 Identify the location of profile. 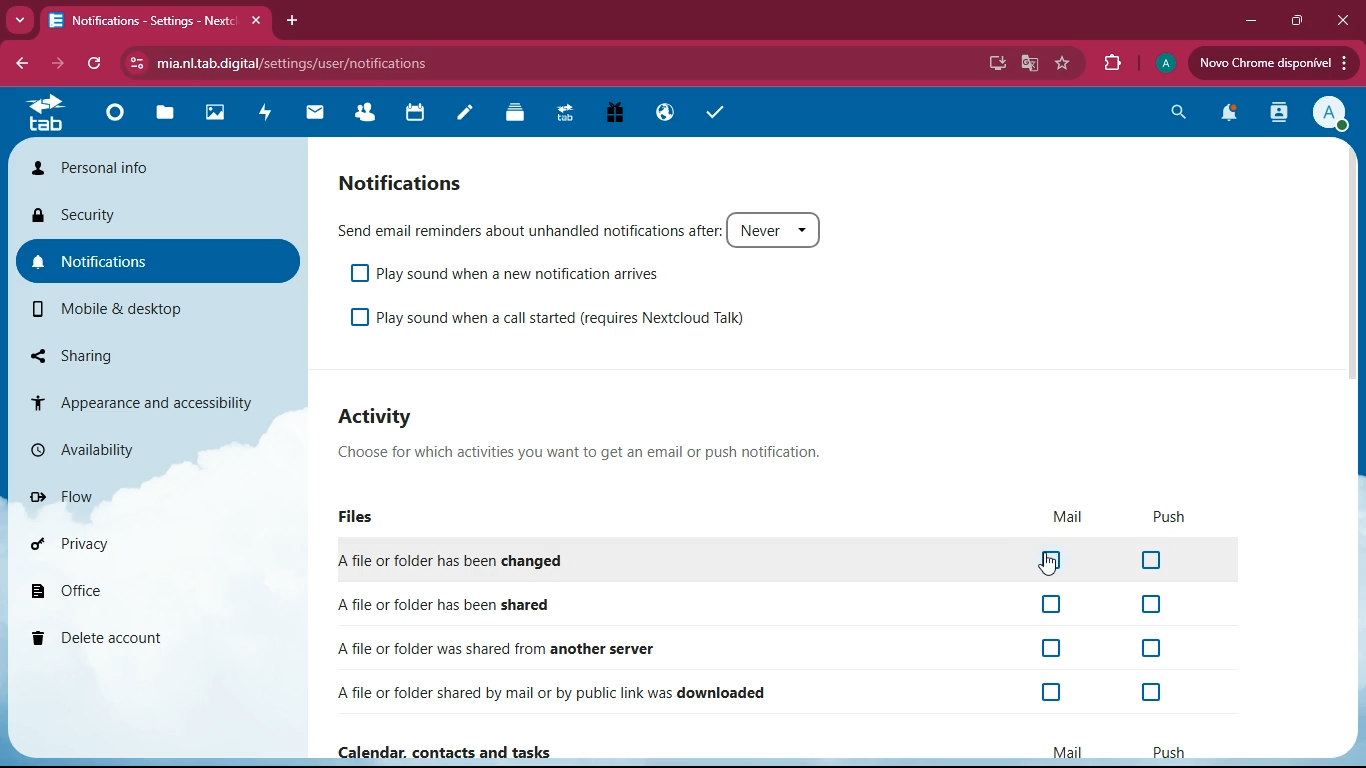
(1164, 64).